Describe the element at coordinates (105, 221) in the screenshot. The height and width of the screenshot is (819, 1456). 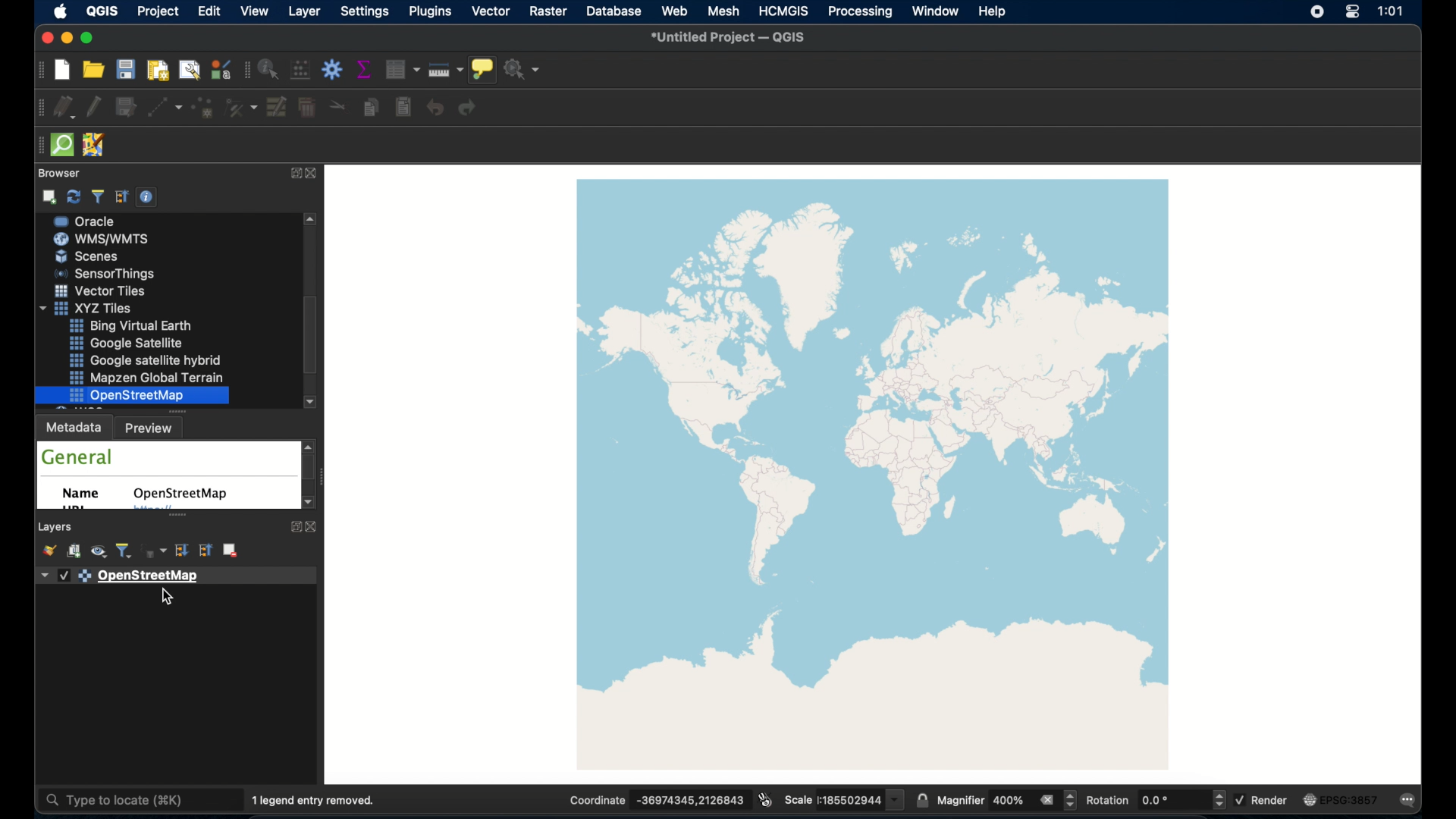
I see `postgre sql` at that location.